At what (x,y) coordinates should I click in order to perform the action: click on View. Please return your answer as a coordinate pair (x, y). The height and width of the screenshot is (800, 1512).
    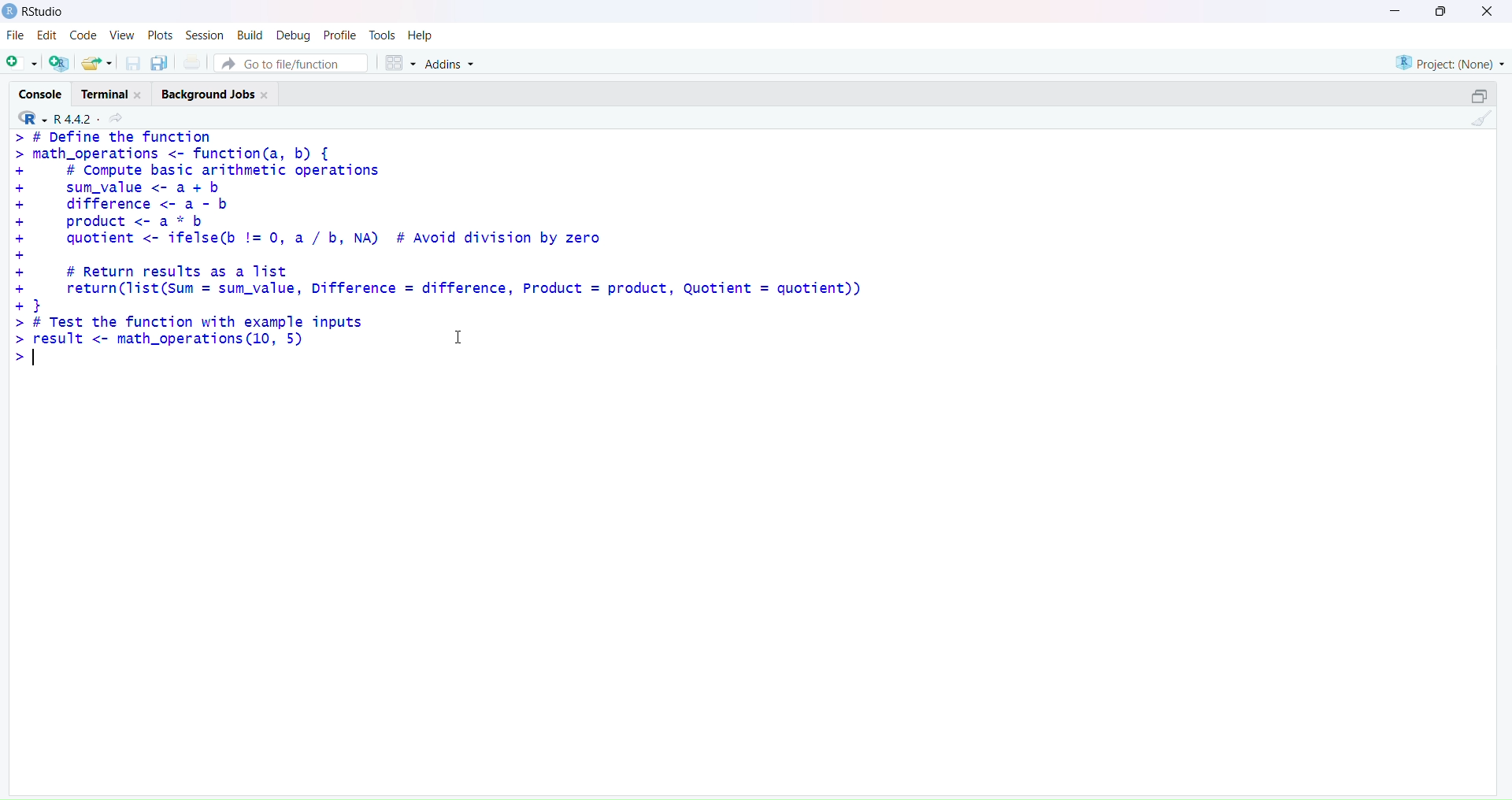
    Looking at the image, I should click on (122, 35).